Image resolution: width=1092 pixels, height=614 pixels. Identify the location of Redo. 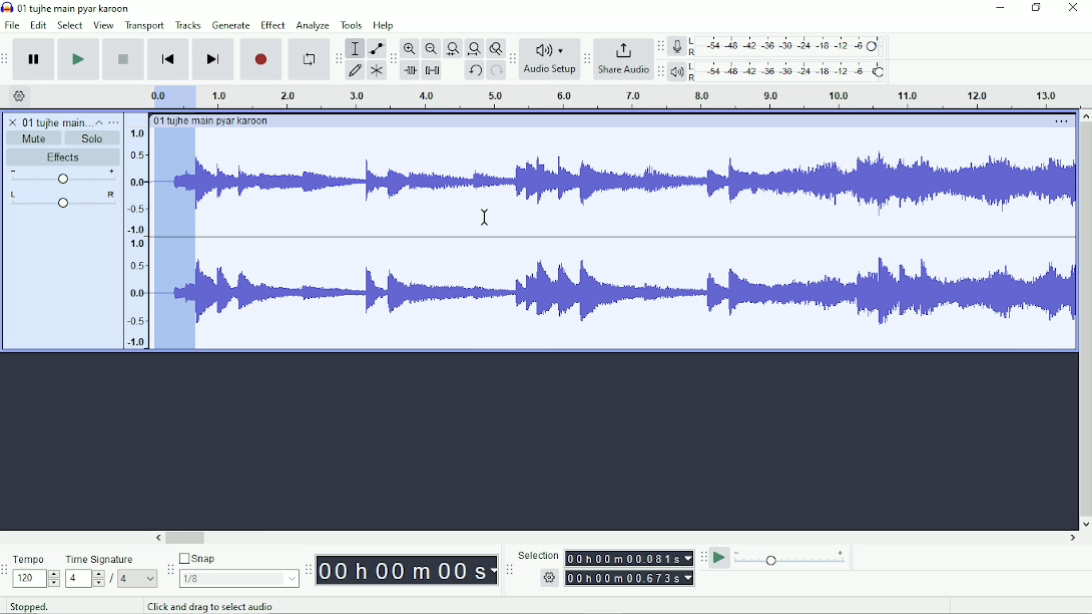
(496, 72).